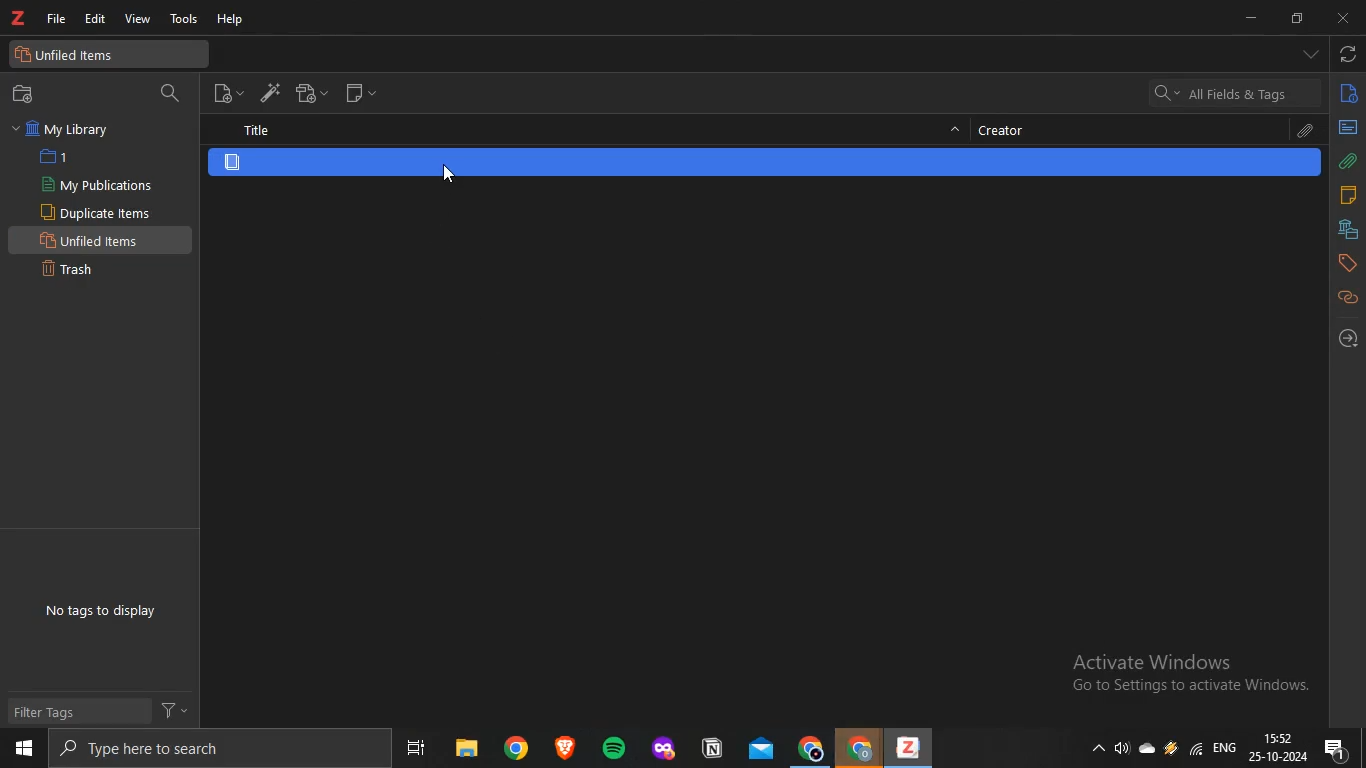 This screenshot has height=768, width=1366. I want to click on tools, so click(185, 21).